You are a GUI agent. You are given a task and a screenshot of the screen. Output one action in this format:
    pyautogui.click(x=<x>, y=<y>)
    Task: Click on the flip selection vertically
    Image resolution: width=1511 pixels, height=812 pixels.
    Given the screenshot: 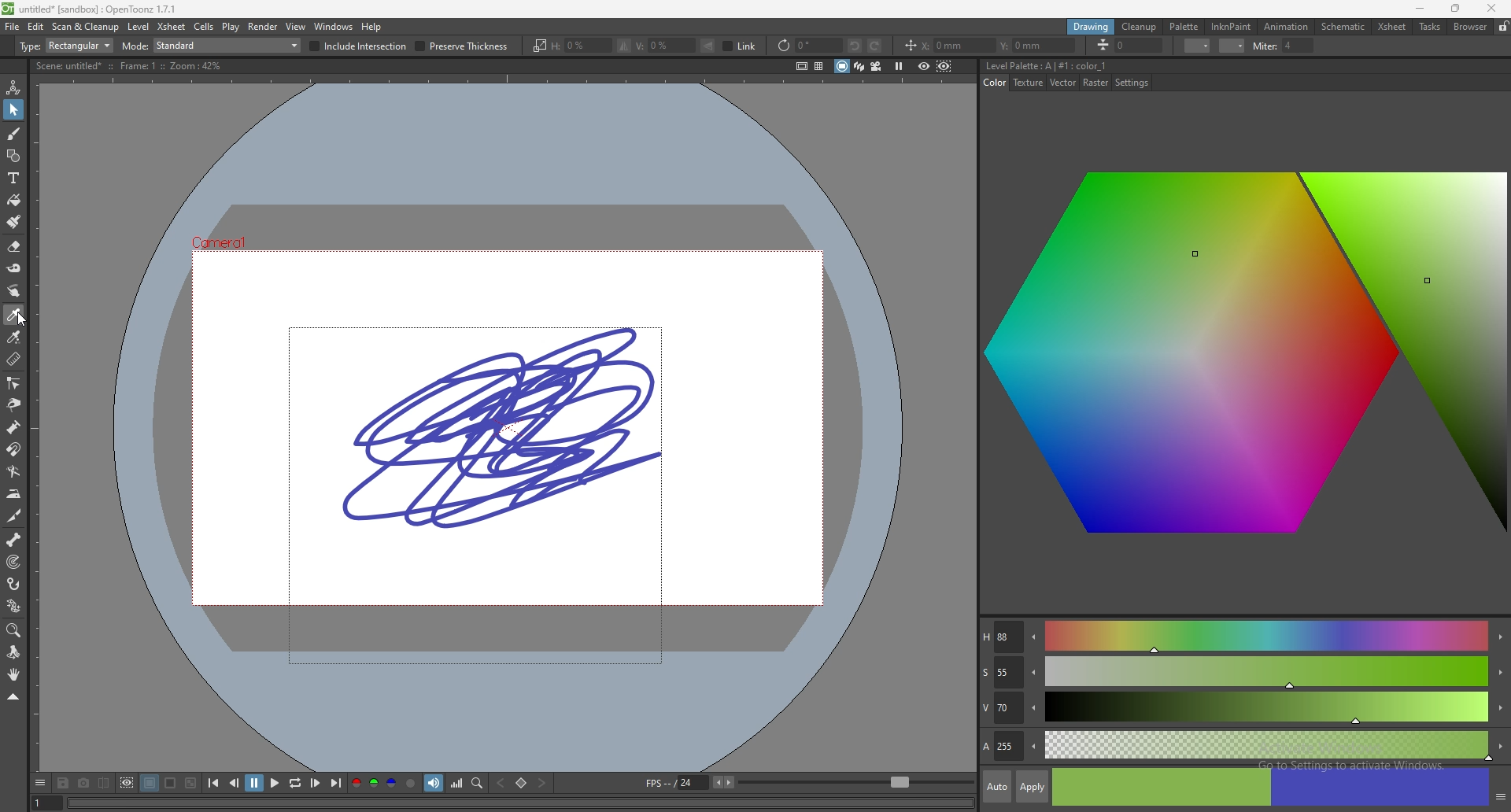 What is the action you would take?
    pyautogui.click(x=709, y=45)
    